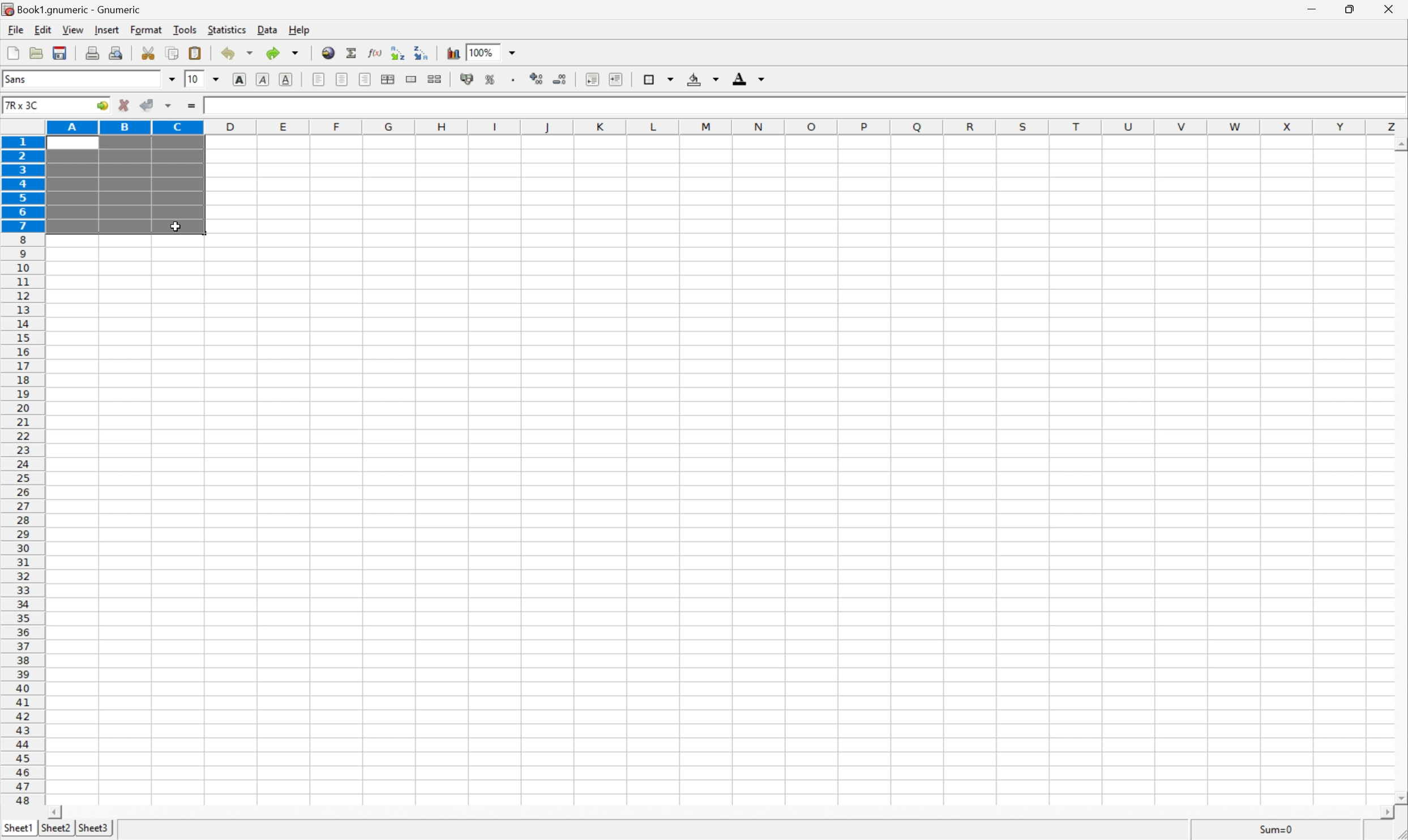 This screenshot has width=1408, height=840. Describe the element at coordinates (1390, 818) in the screenshot. I see `scroll right` at that location.